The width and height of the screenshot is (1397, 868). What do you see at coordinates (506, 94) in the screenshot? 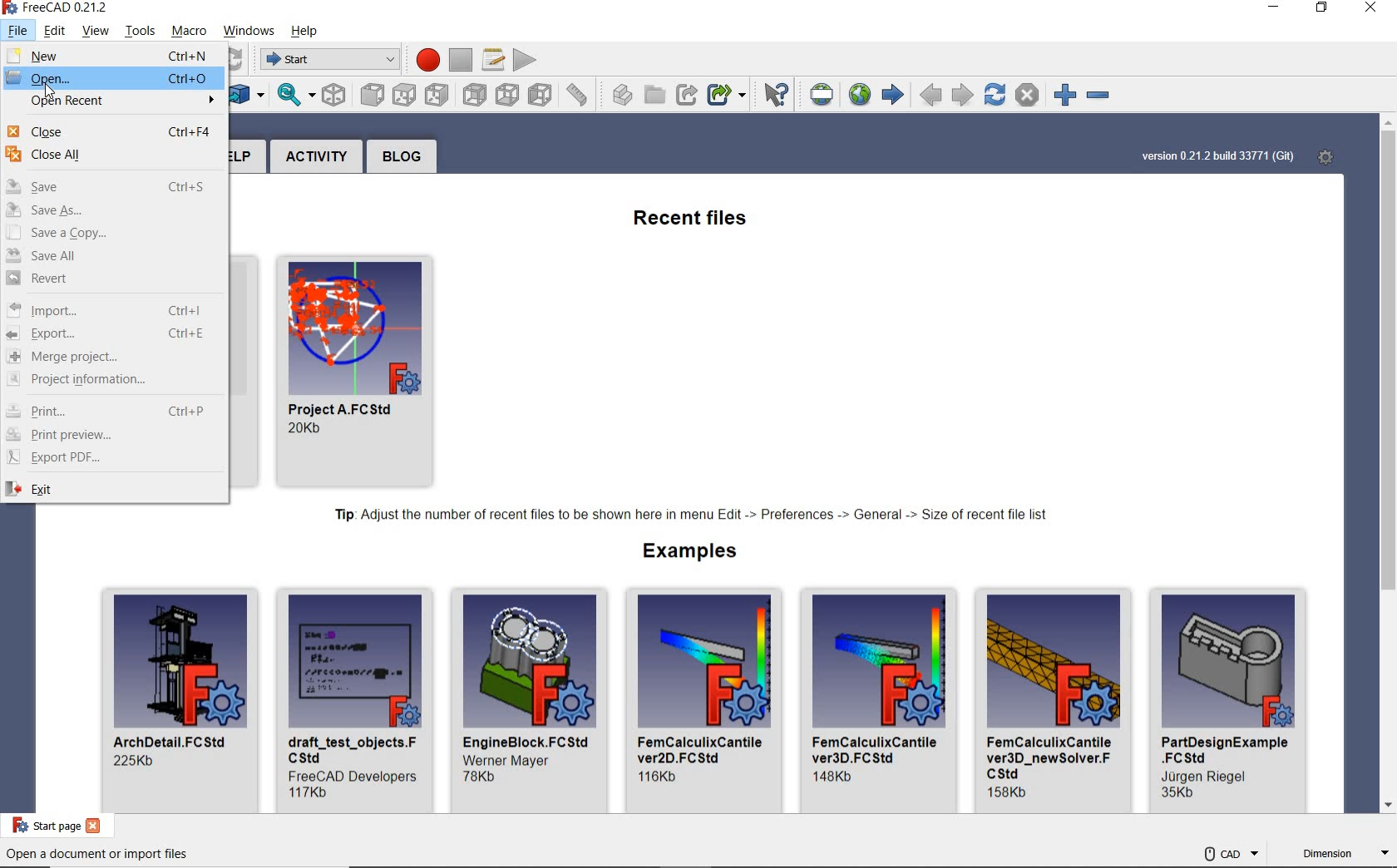
I see `BOTTOM` at bounding box center [506, 94].